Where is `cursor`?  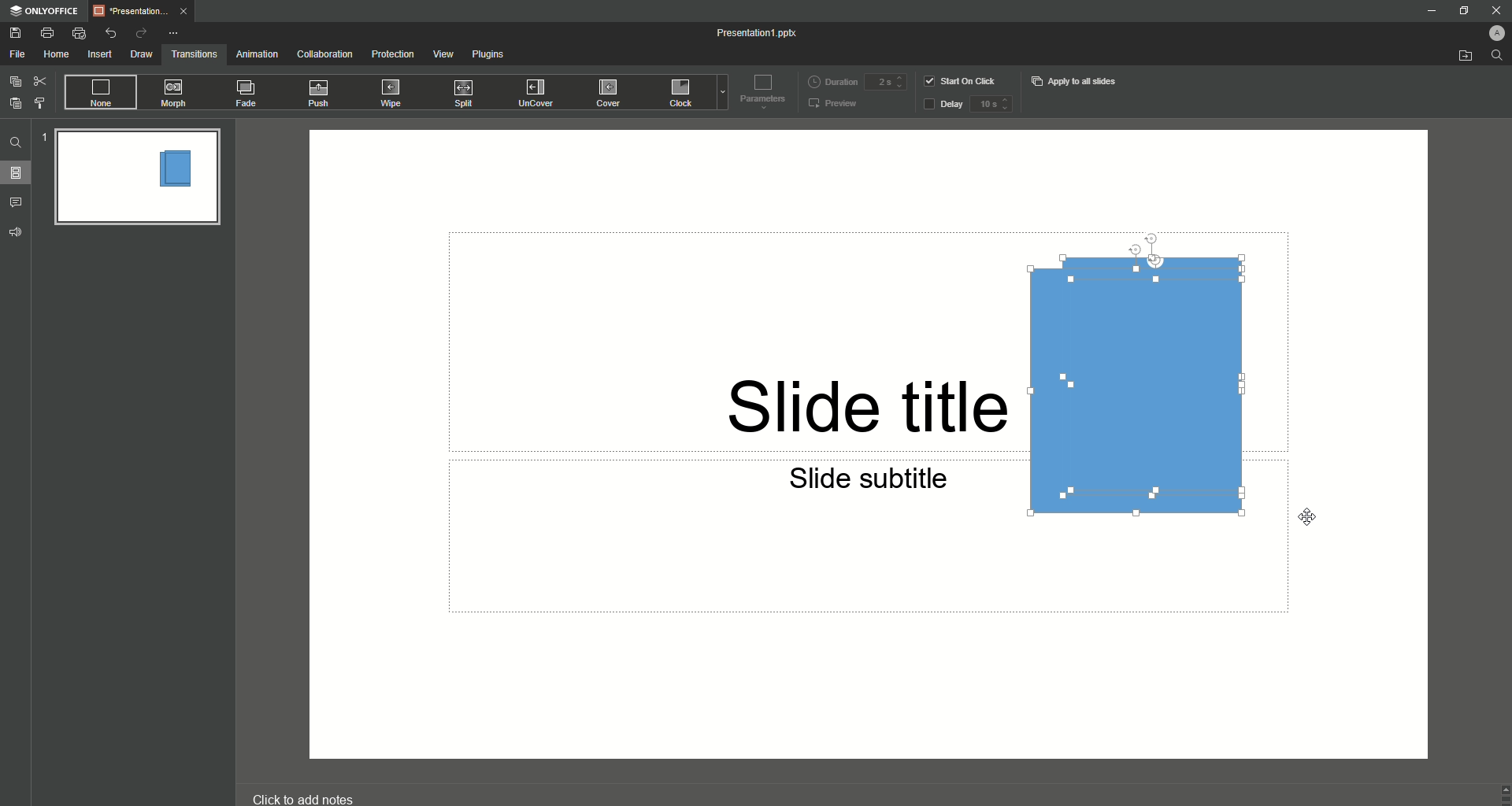 cursor is located at coordinates (1311, 518).